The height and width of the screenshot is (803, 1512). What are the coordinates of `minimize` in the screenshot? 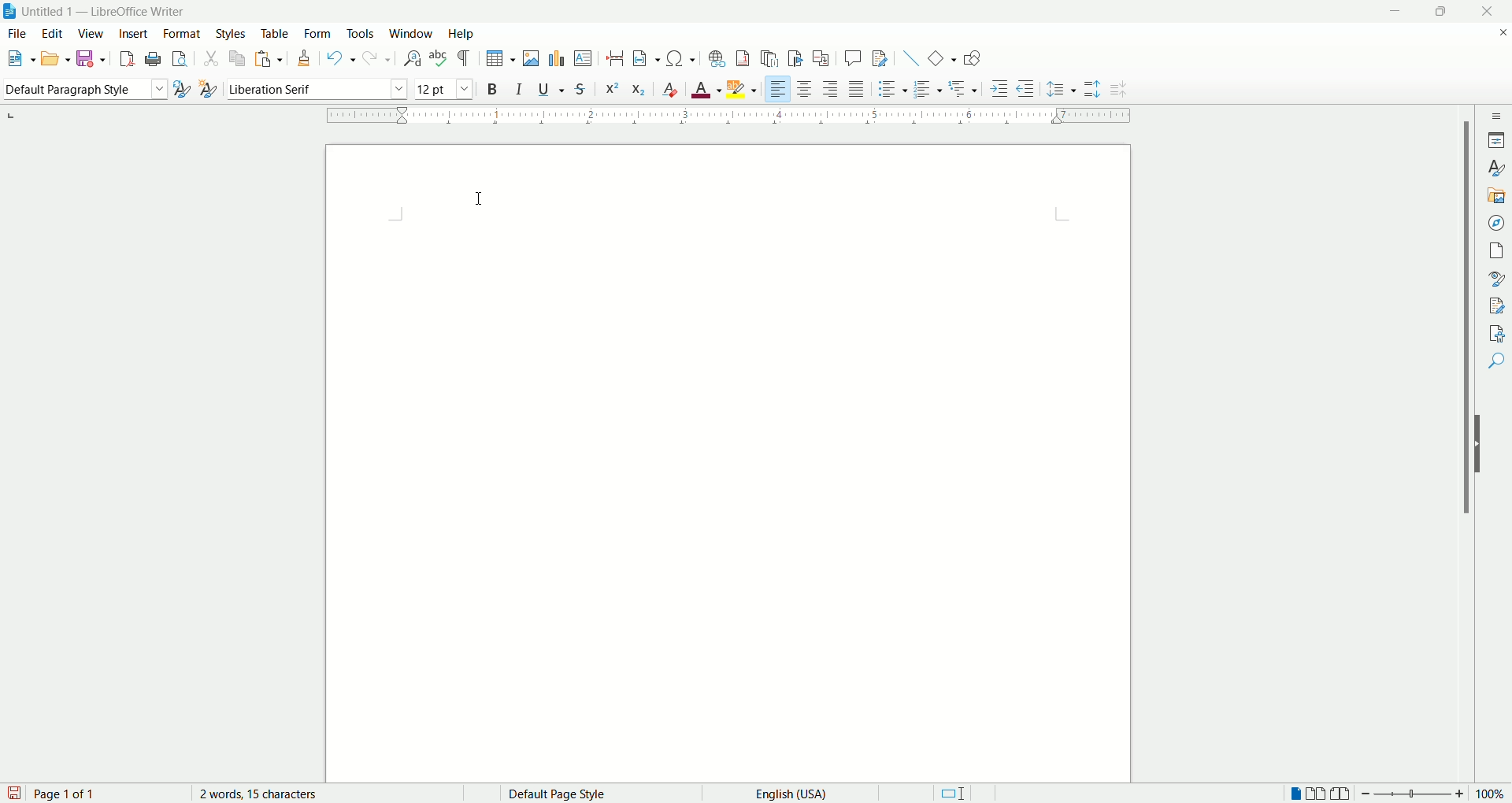 It's located at (1400, 12).